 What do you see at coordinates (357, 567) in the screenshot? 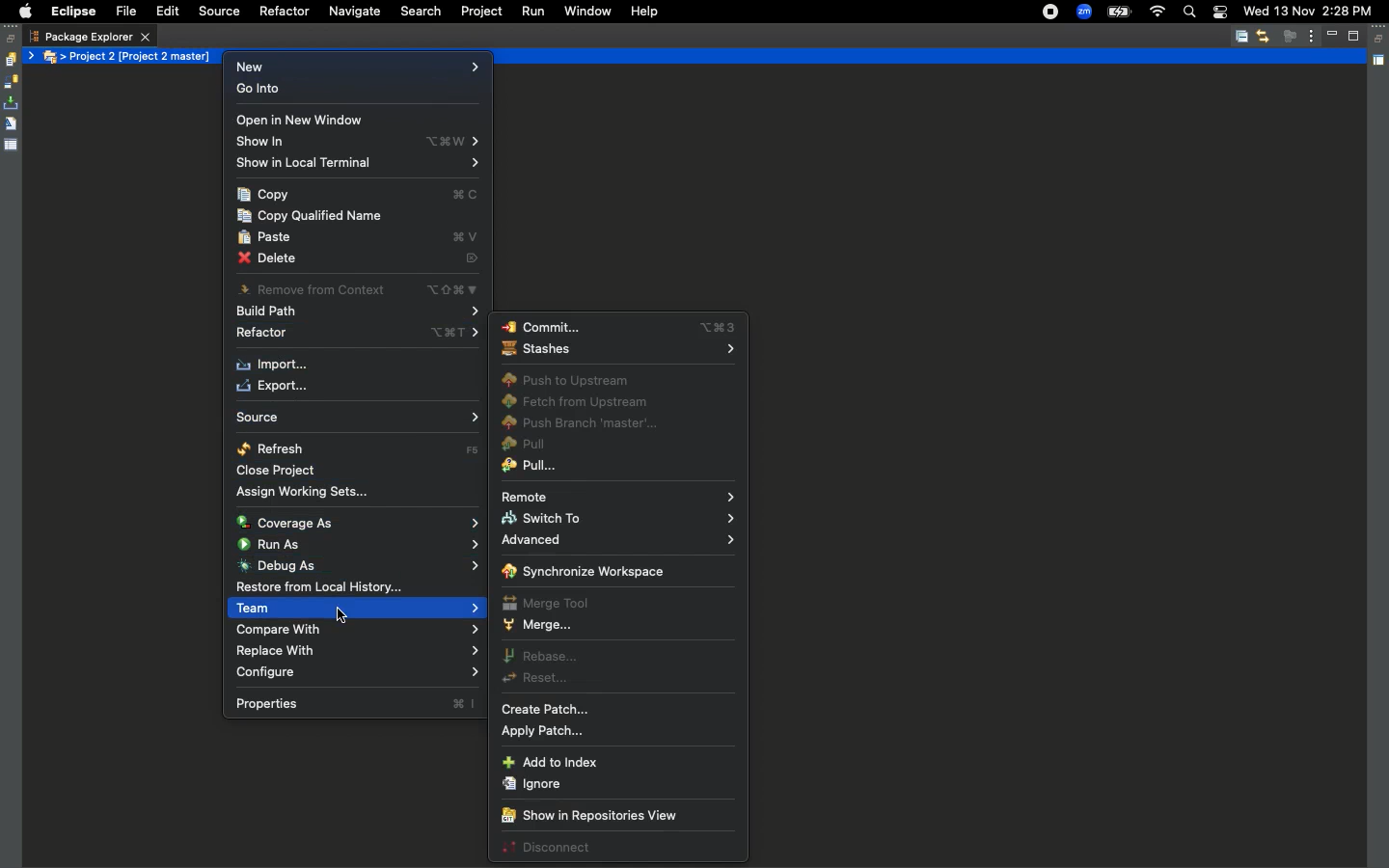
I see `Debug as` at bounding box center [357, 567].